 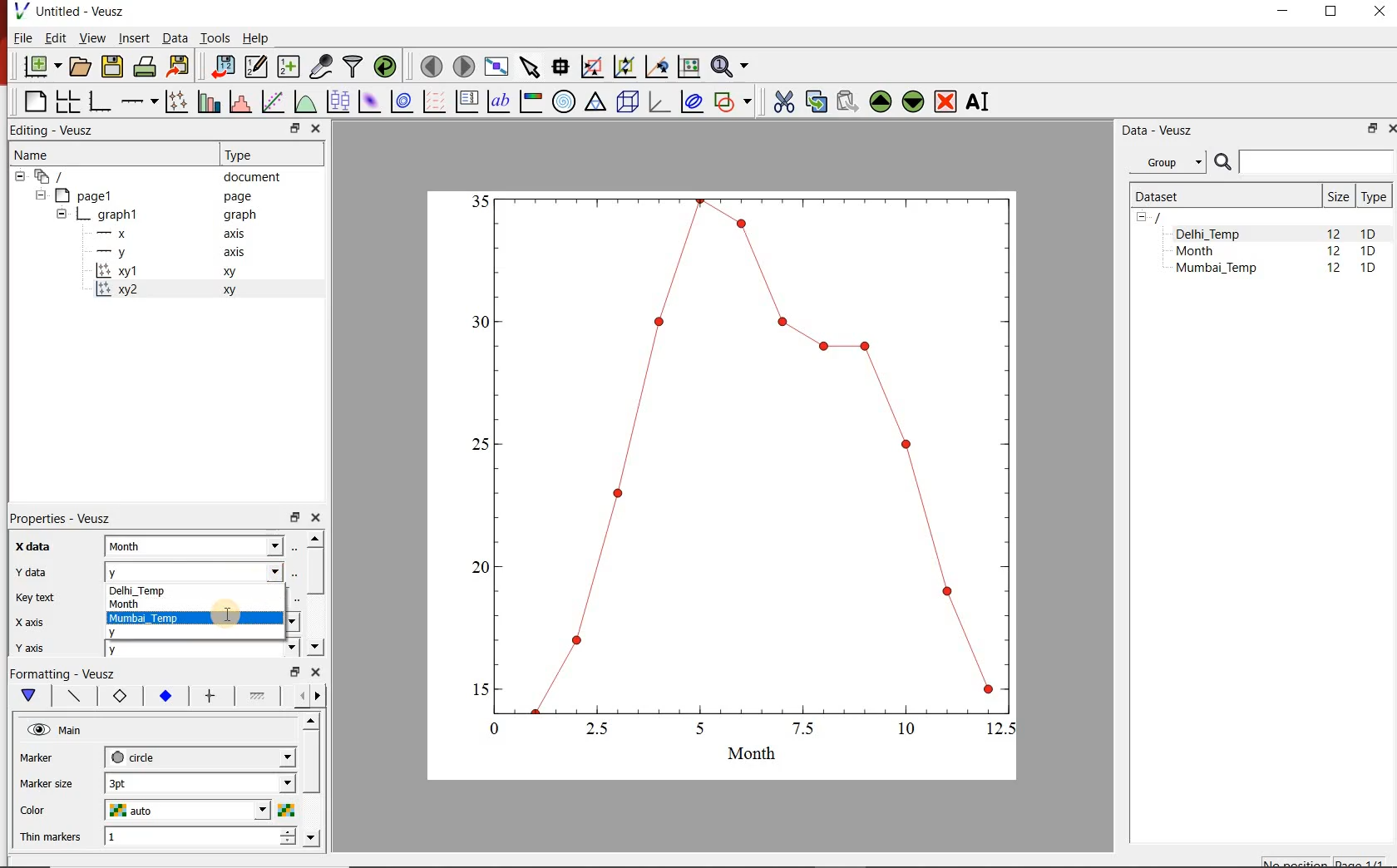 What do you see at coordinates (116, 696) in the screenshot?
I see `Axis label` at bounding box center [116, 696].